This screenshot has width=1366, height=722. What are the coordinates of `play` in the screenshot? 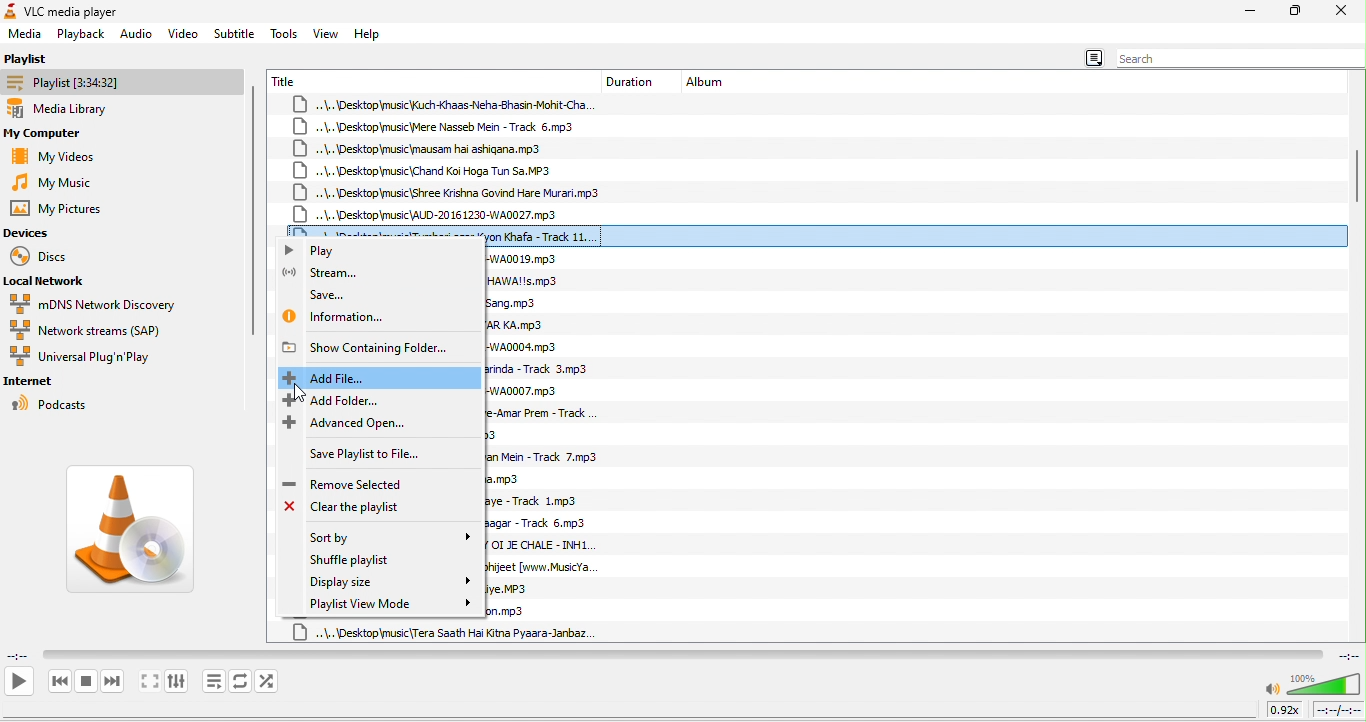 It's located at (18, 681).